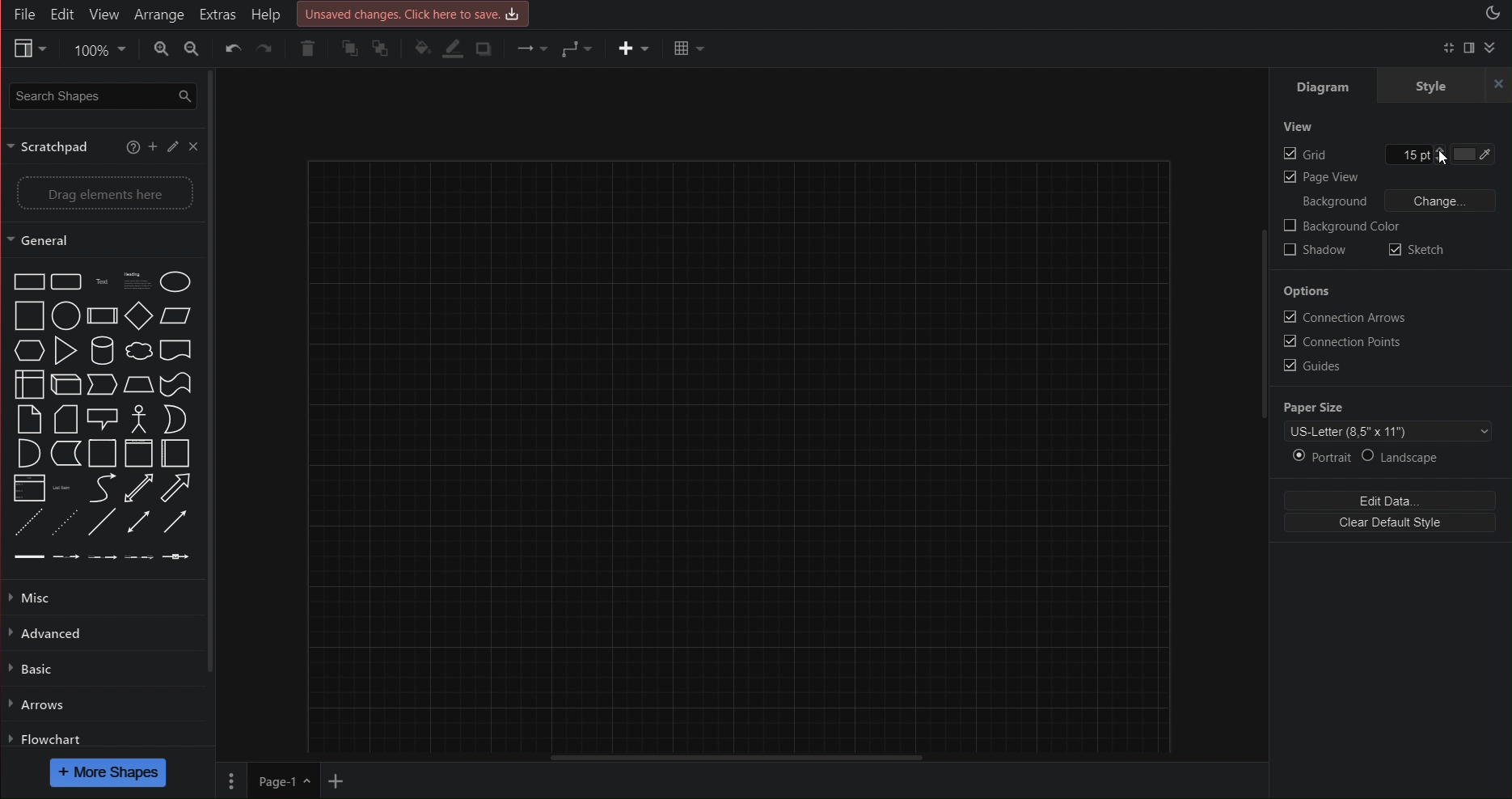 The image size is (1512, 799). I want to click on side header, so click(175, 452).